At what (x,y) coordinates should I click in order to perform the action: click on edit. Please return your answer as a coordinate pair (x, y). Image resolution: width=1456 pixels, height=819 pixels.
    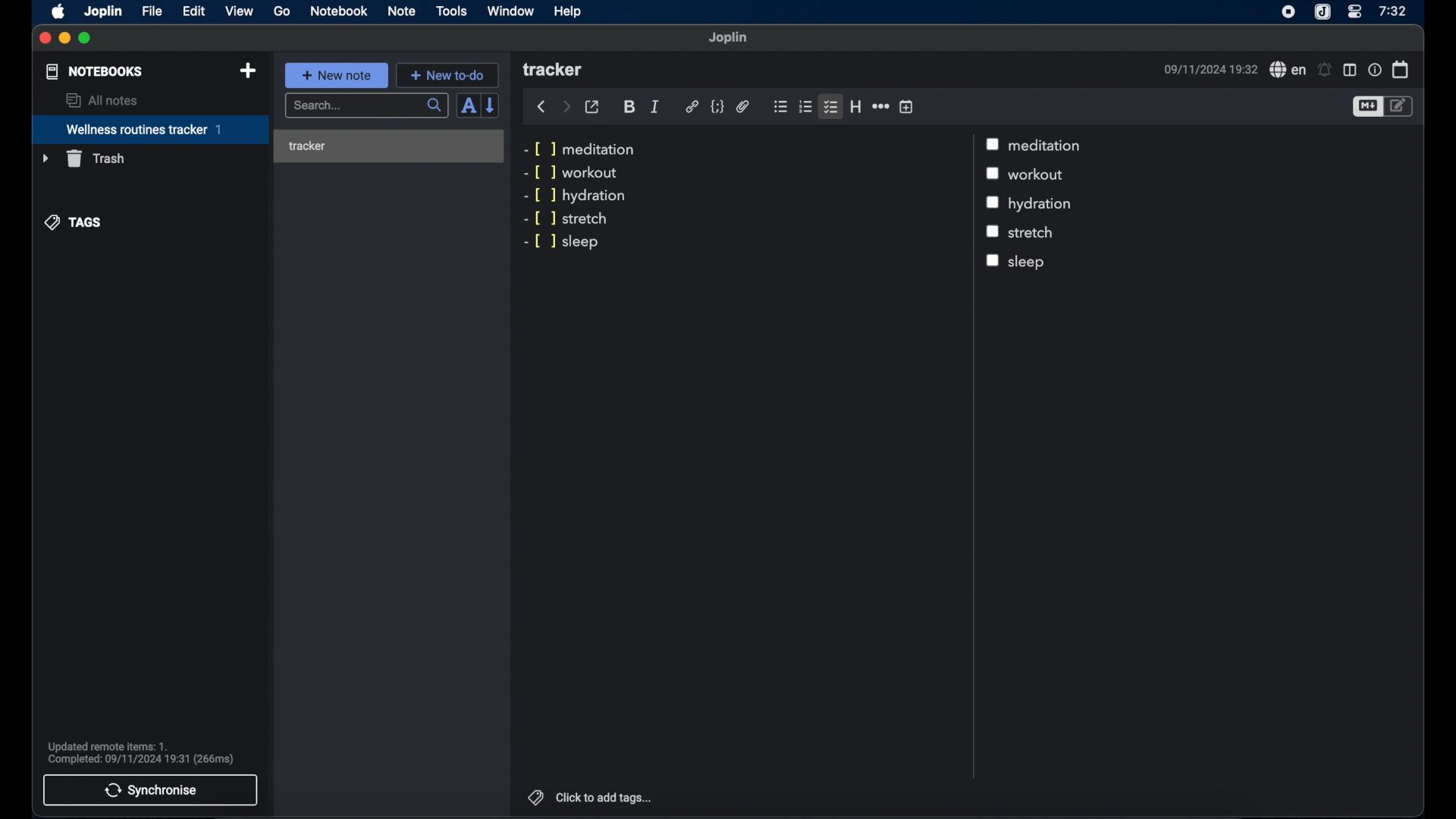
    Looking at the image, I should click on (193, 11).